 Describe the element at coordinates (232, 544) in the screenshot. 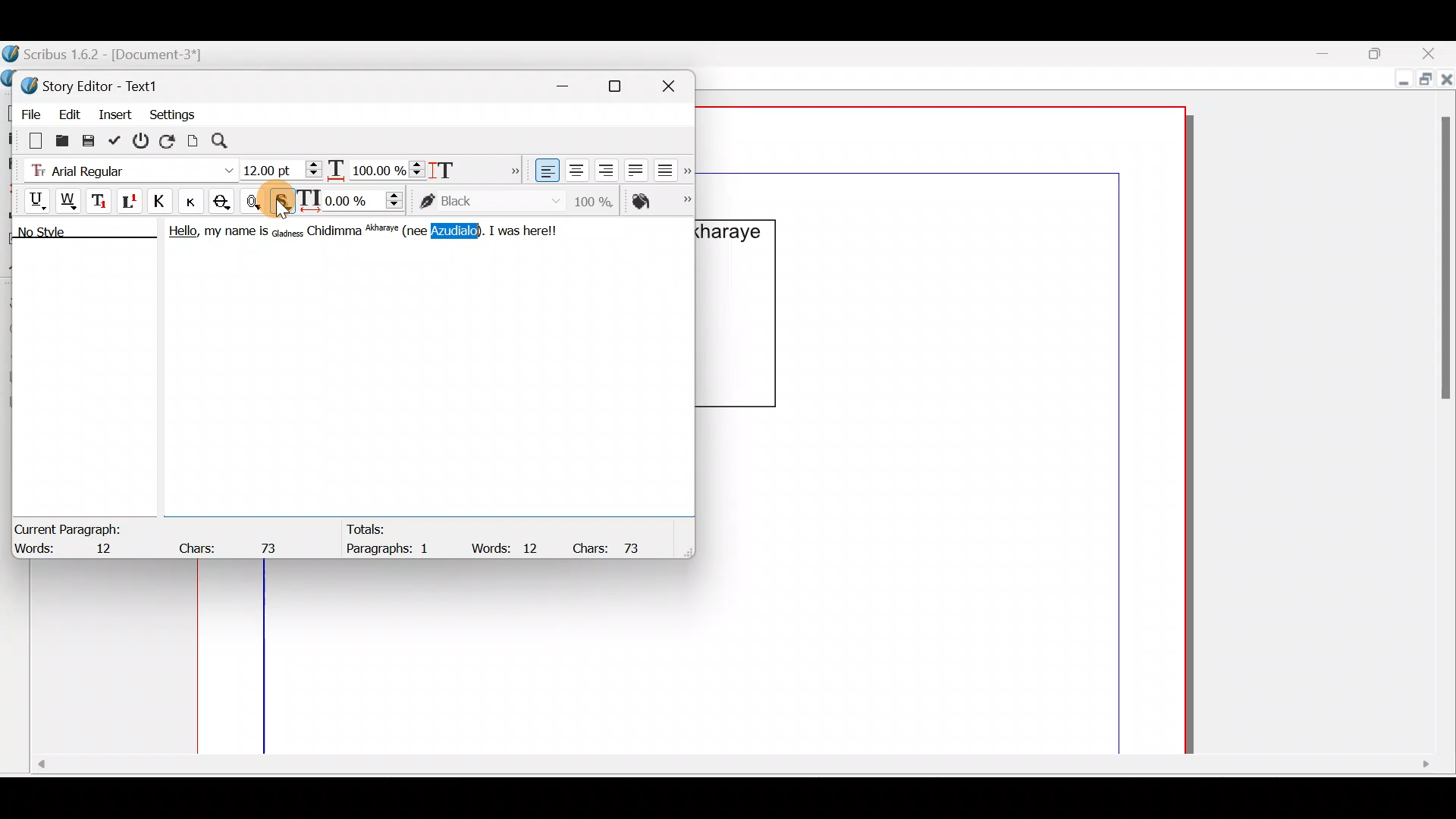

I see `Chars: 73` at that location.